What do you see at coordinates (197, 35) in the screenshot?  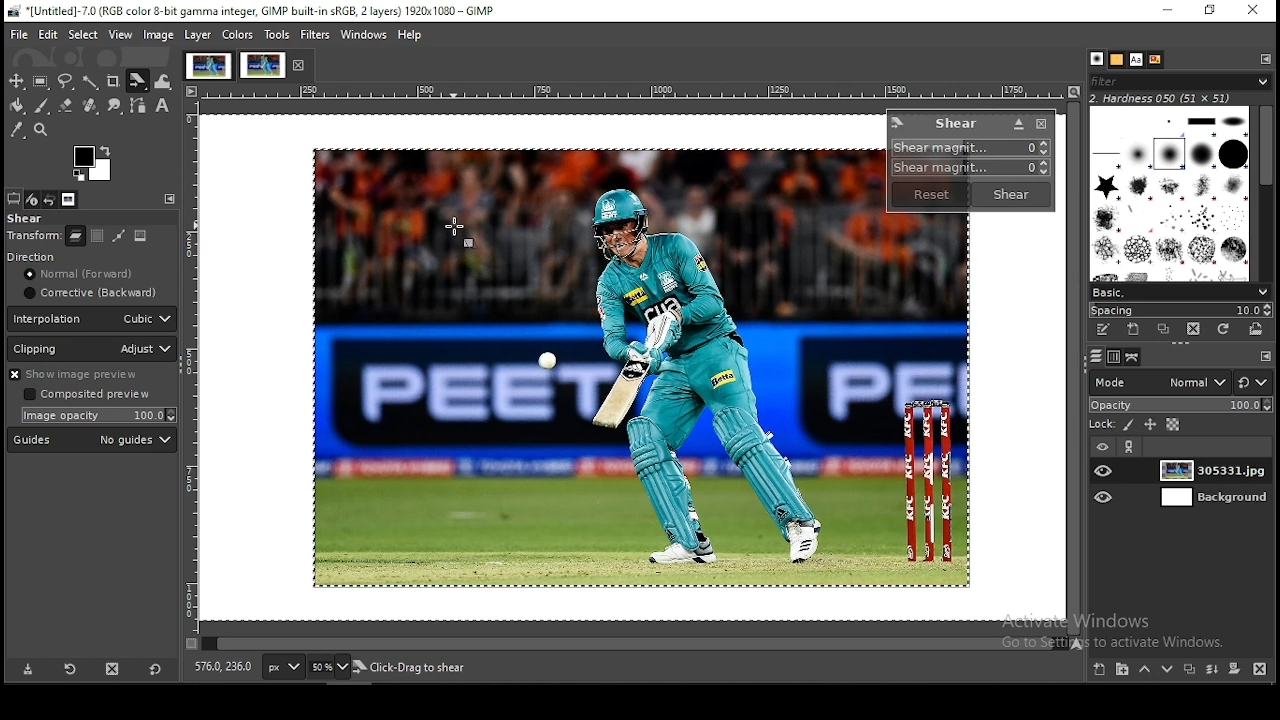 I see `layer` at bounding box center [197, 35].